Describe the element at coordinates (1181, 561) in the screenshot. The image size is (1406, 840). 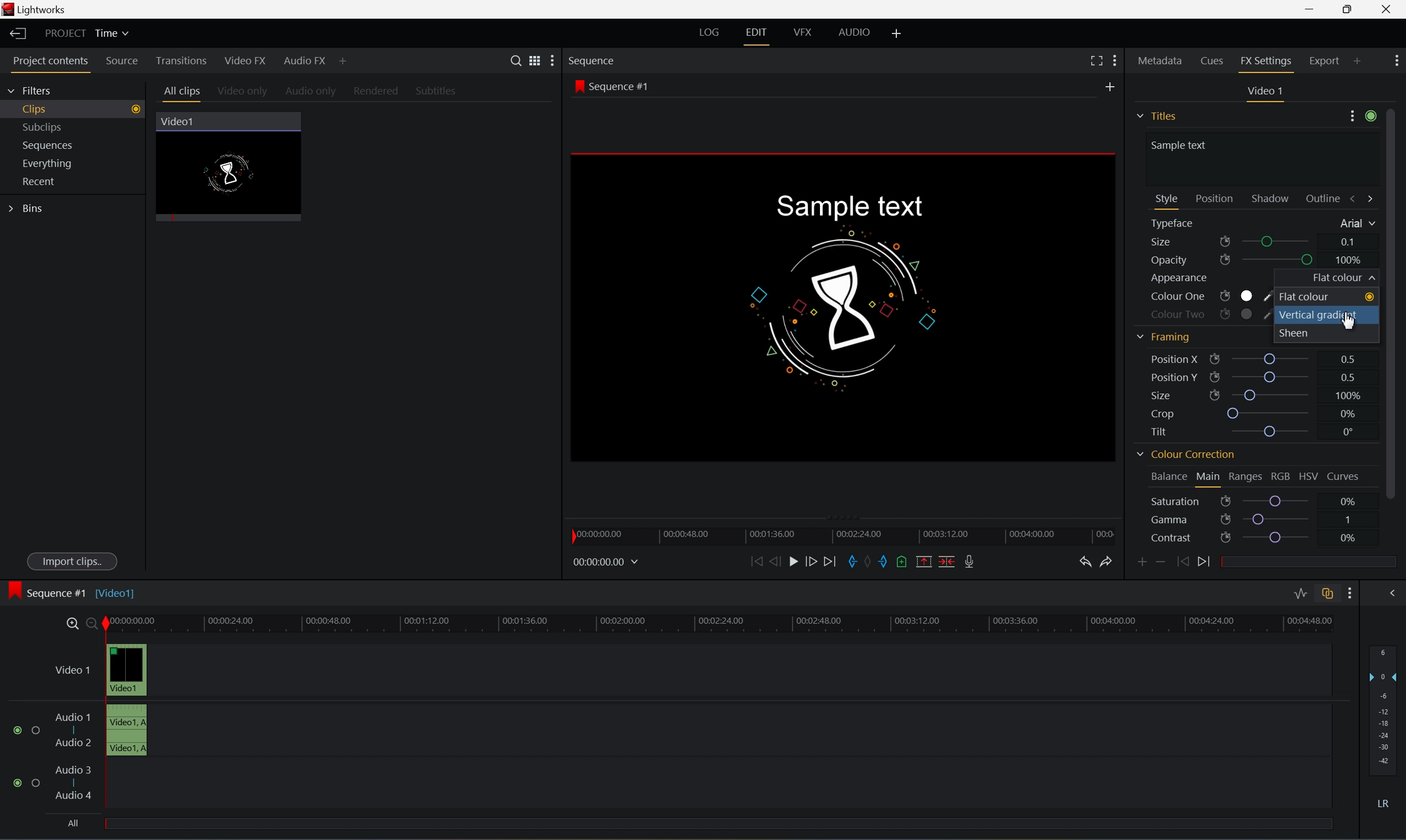
I see `previous` at that location.